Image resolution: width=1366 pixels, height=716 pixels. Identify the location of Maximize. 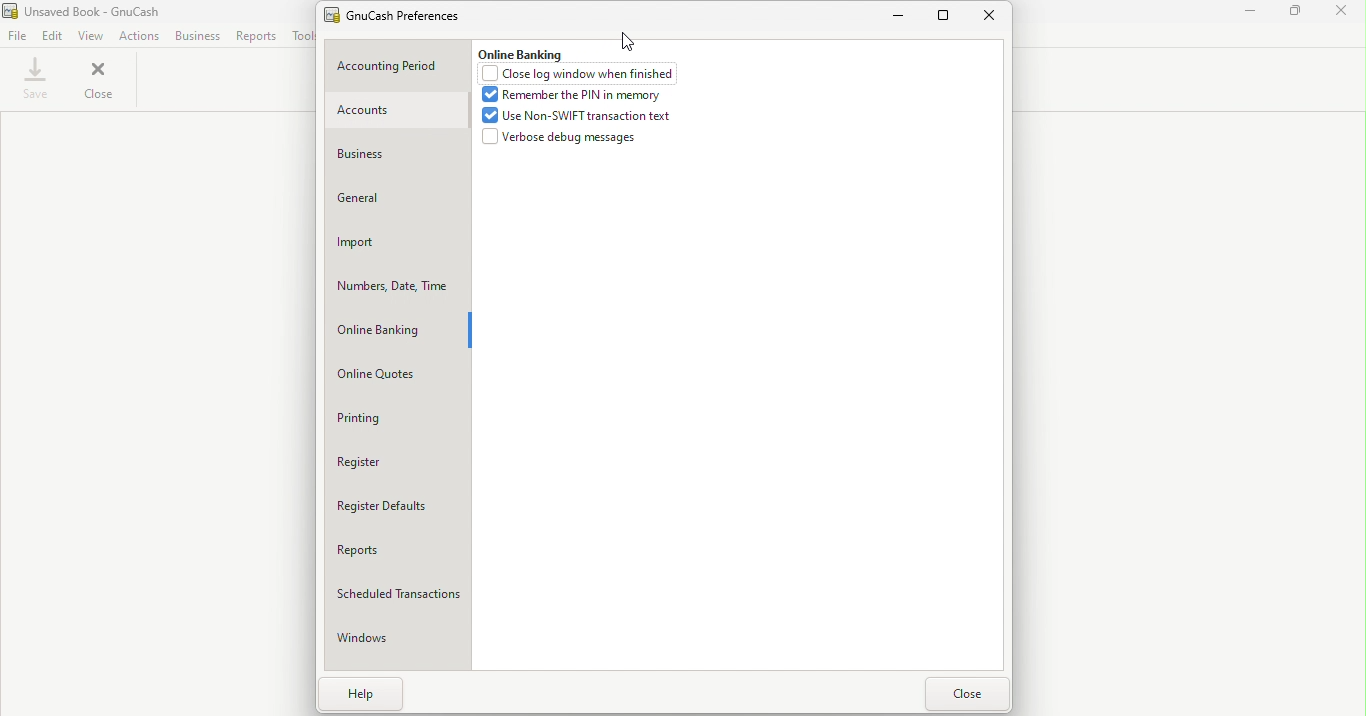
(1296, 13).